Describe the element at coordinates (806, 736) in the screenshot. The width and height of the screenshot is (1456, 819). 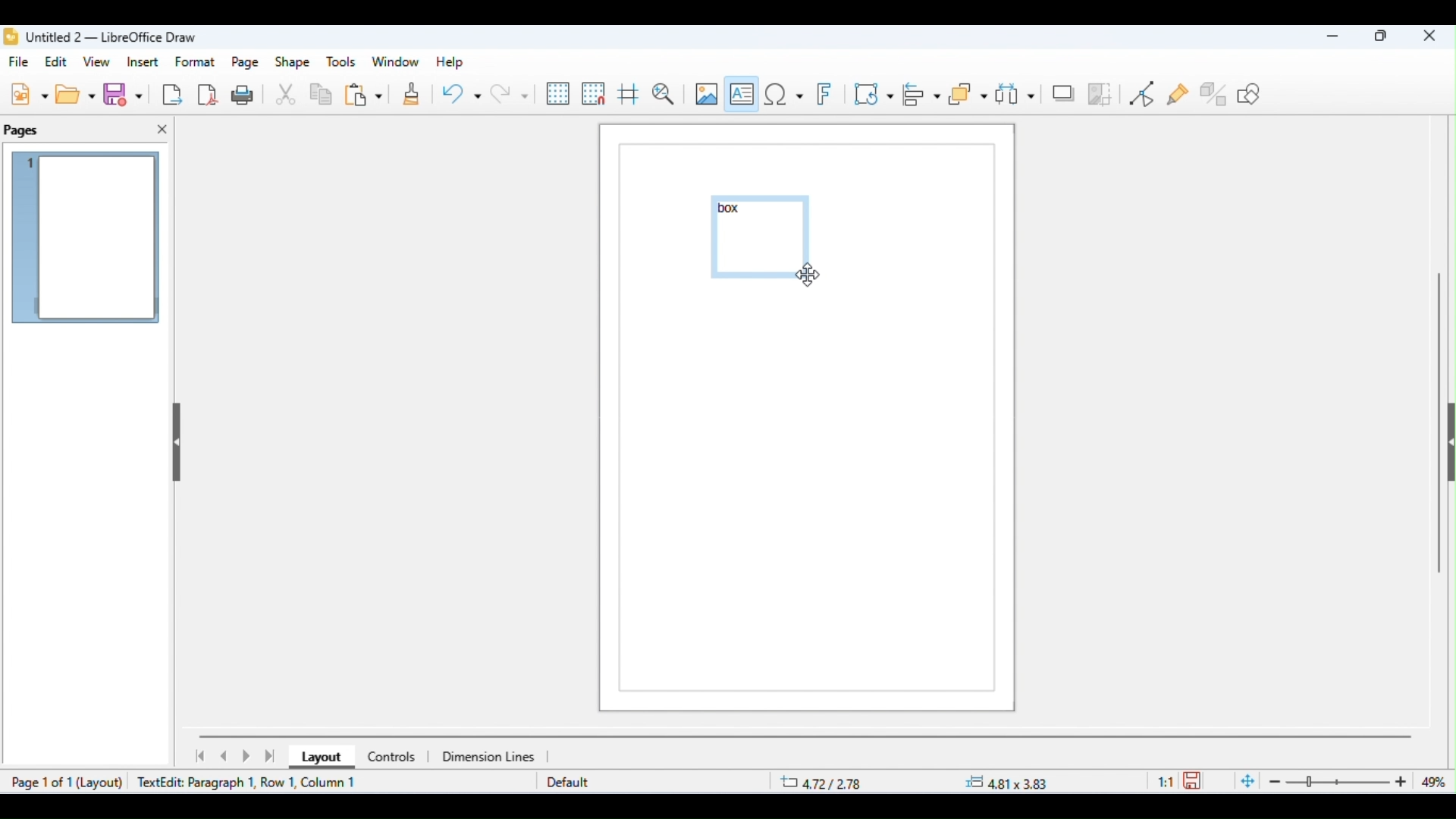
I see `horizontal scroll bar` at that location.